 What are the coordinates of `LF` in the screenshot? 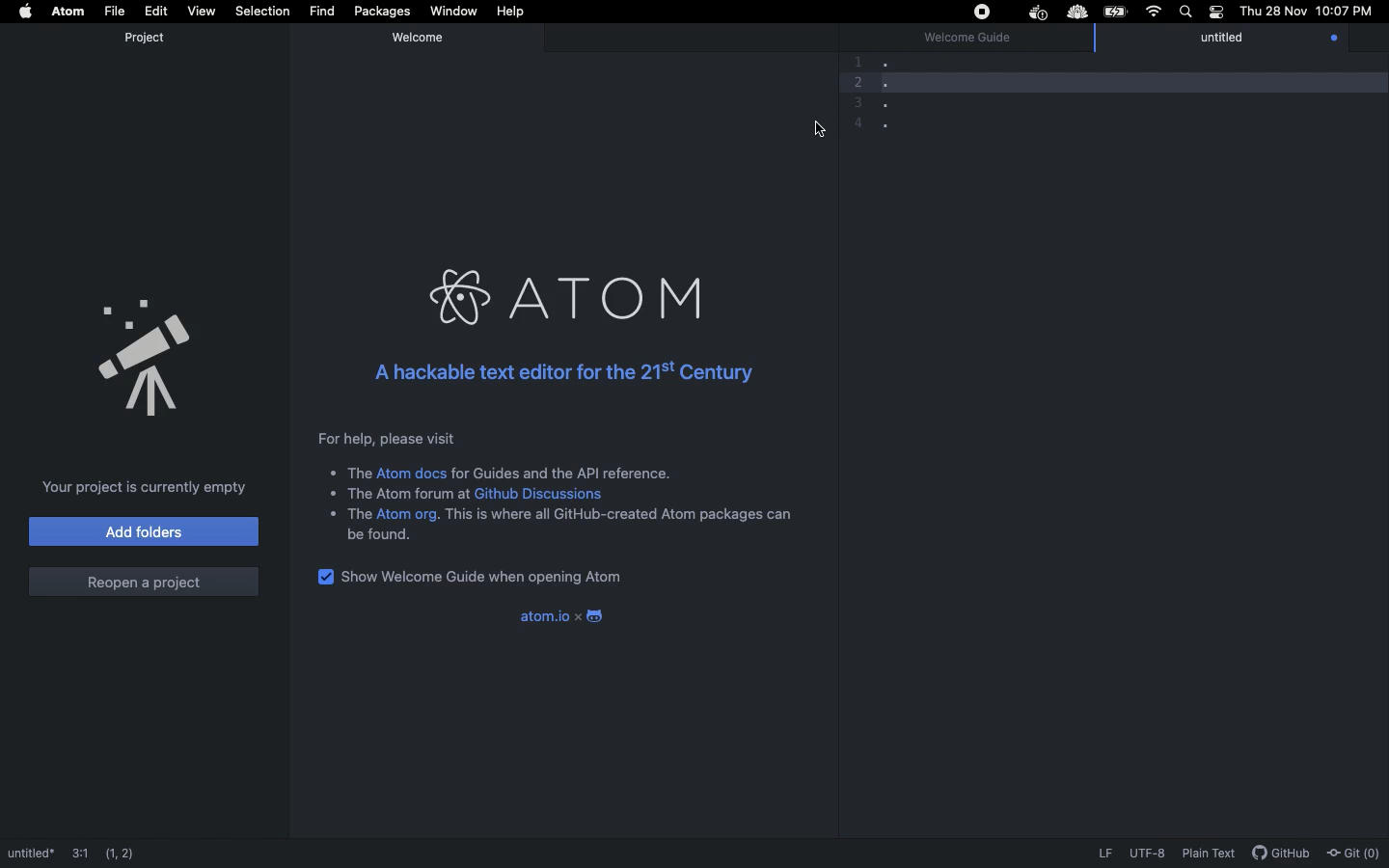 It's located at (1103, 854).